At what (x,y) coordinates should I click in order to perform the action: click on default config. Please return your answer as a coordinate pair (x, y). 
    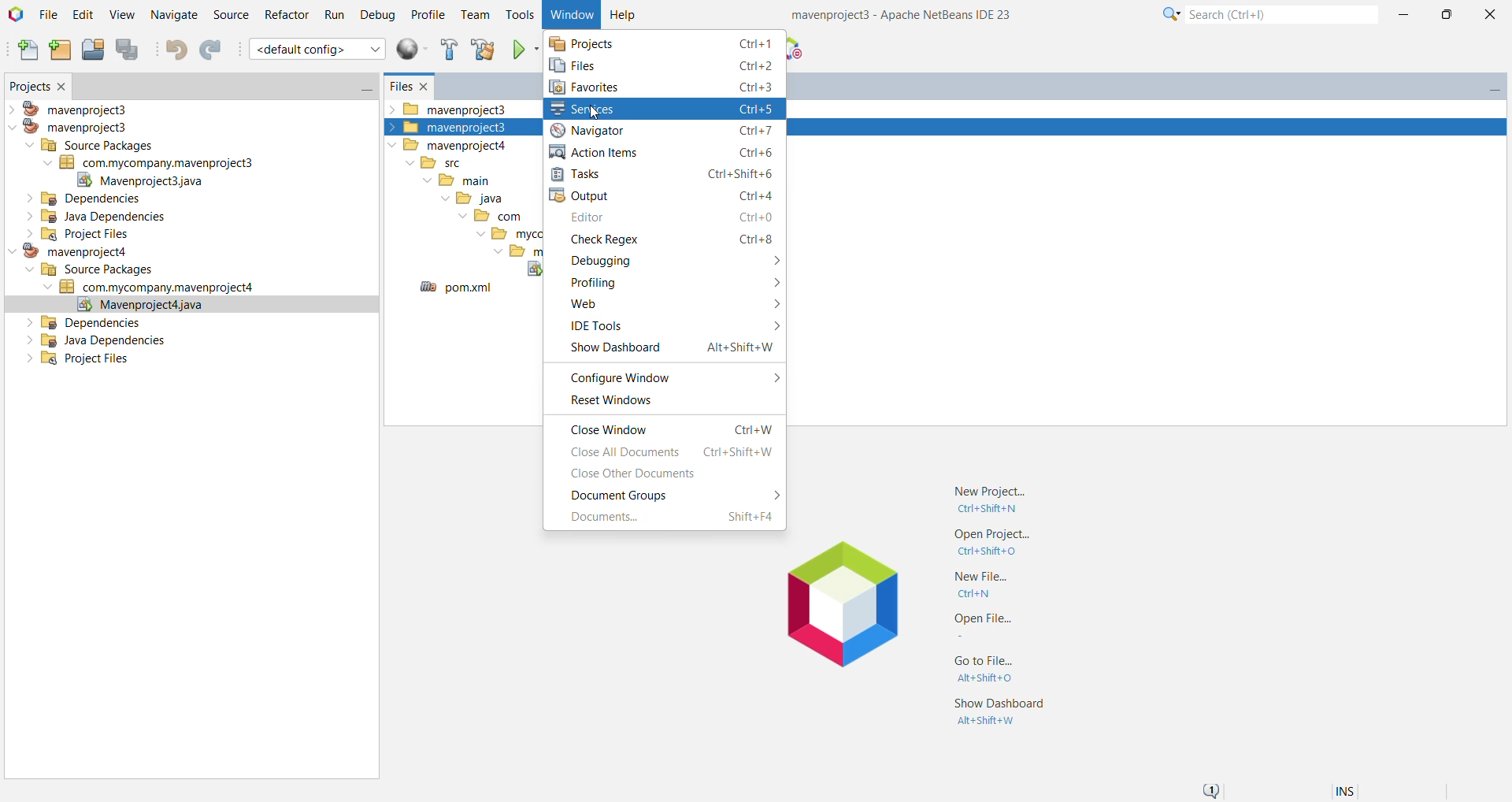
    Looking at the image, I should click on (319, 50).